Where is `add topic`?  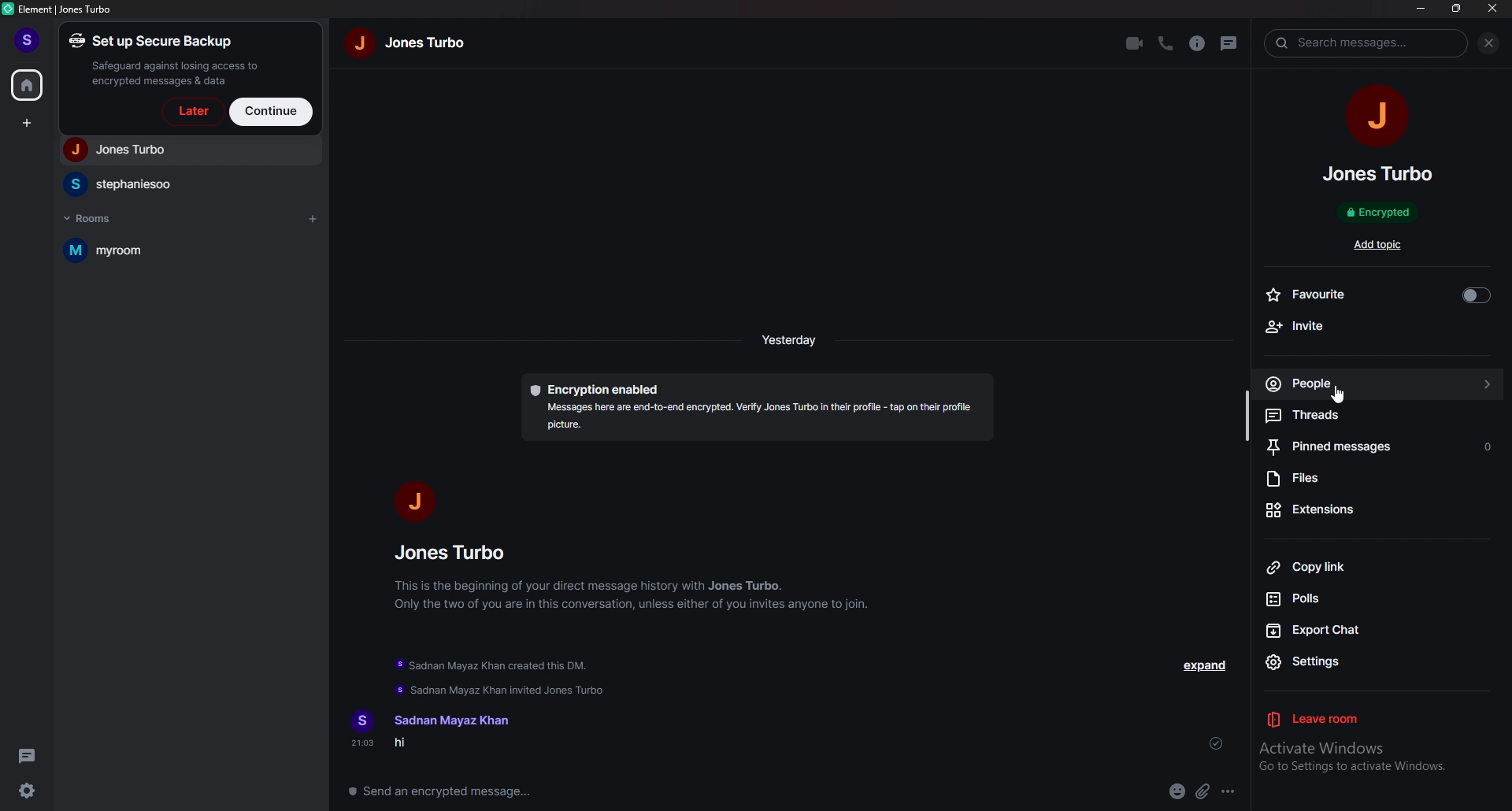
add topic is located at coordinates (1379, 243).